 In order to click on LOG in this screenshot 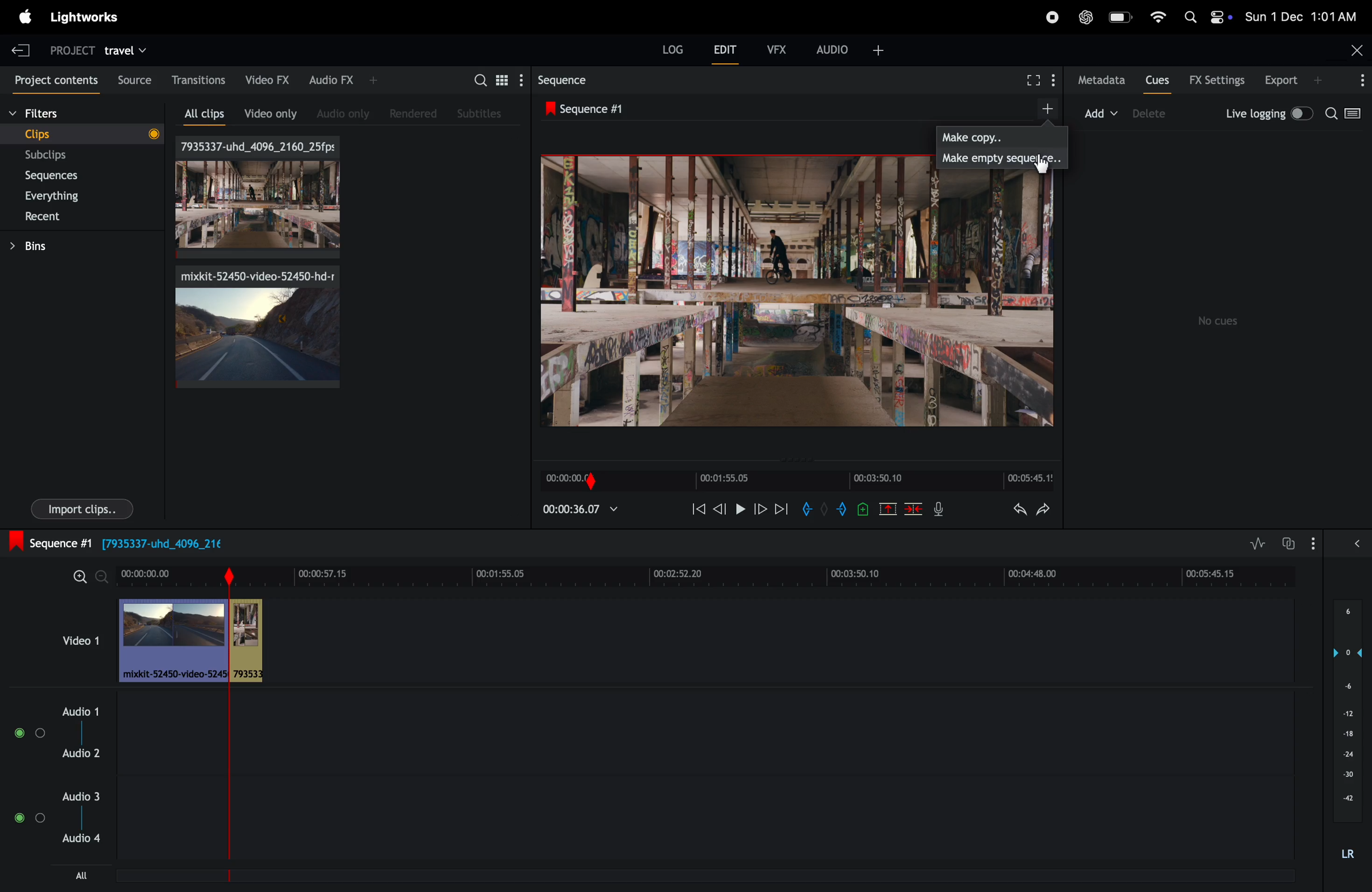, I will do `click(673, 50)`.